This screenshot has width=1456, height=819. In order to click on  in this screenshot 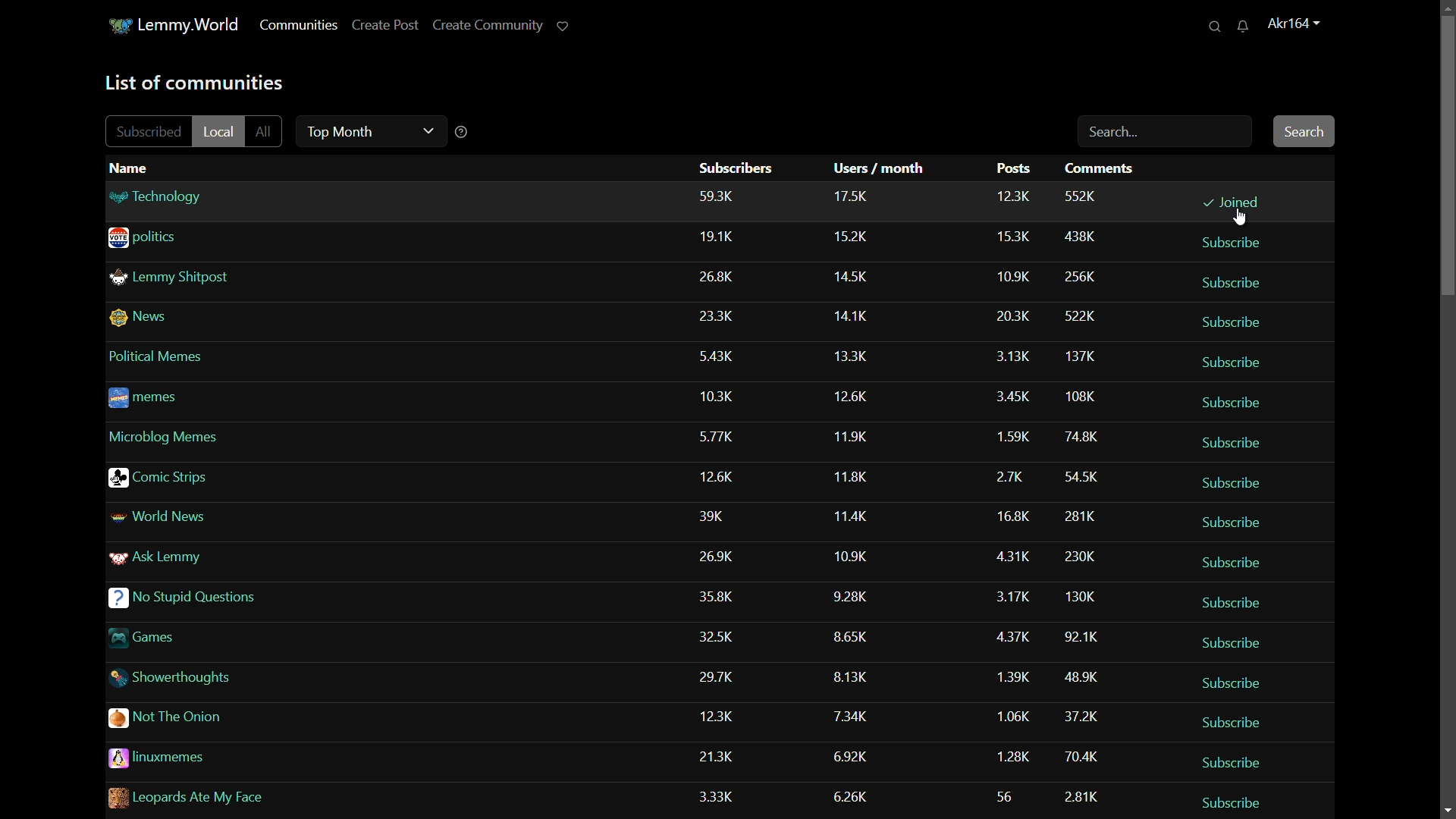, I will do `click(719, 279)`.